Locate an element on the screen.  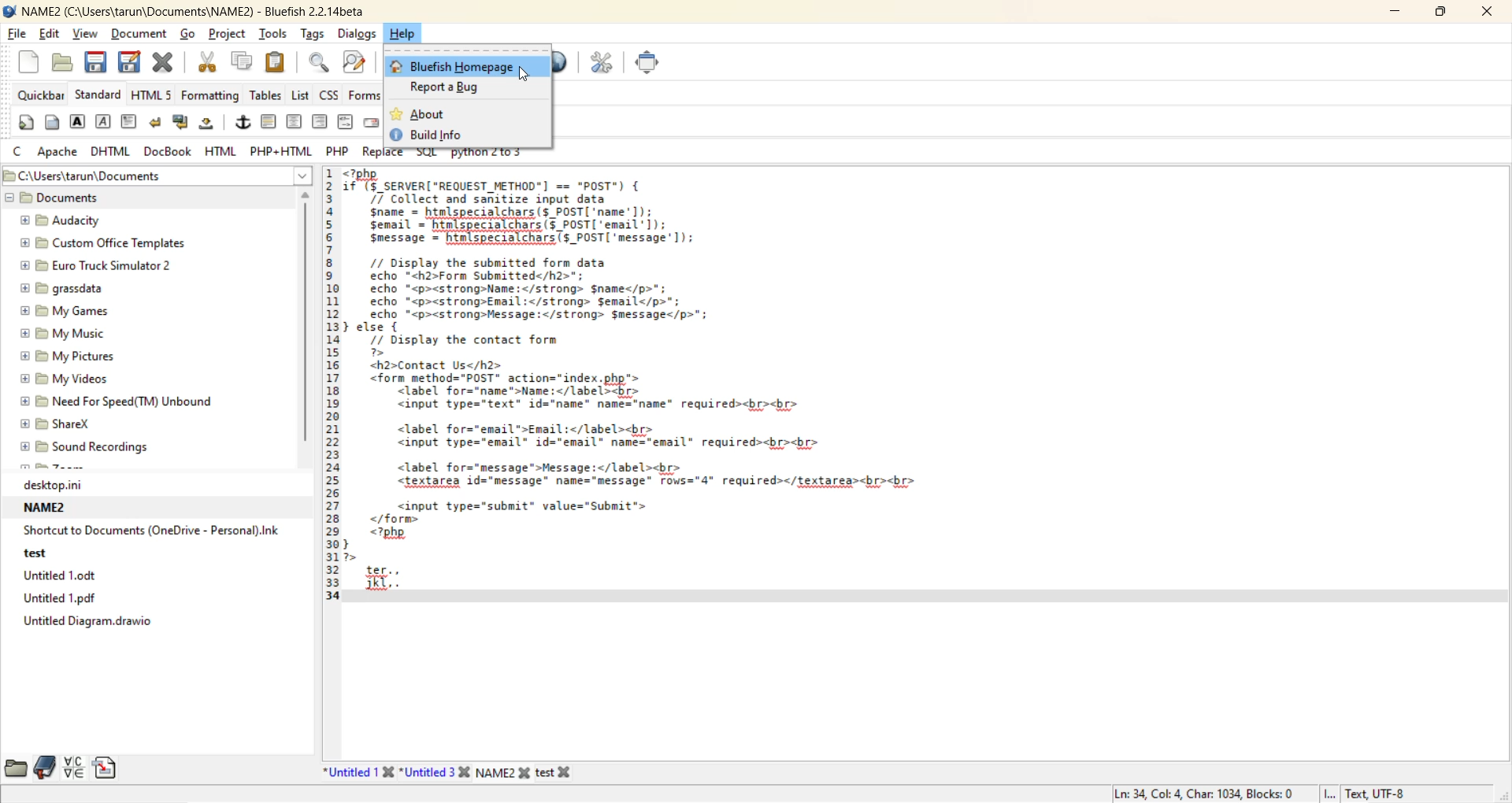
dialogs is located at coordinates (359, 34).